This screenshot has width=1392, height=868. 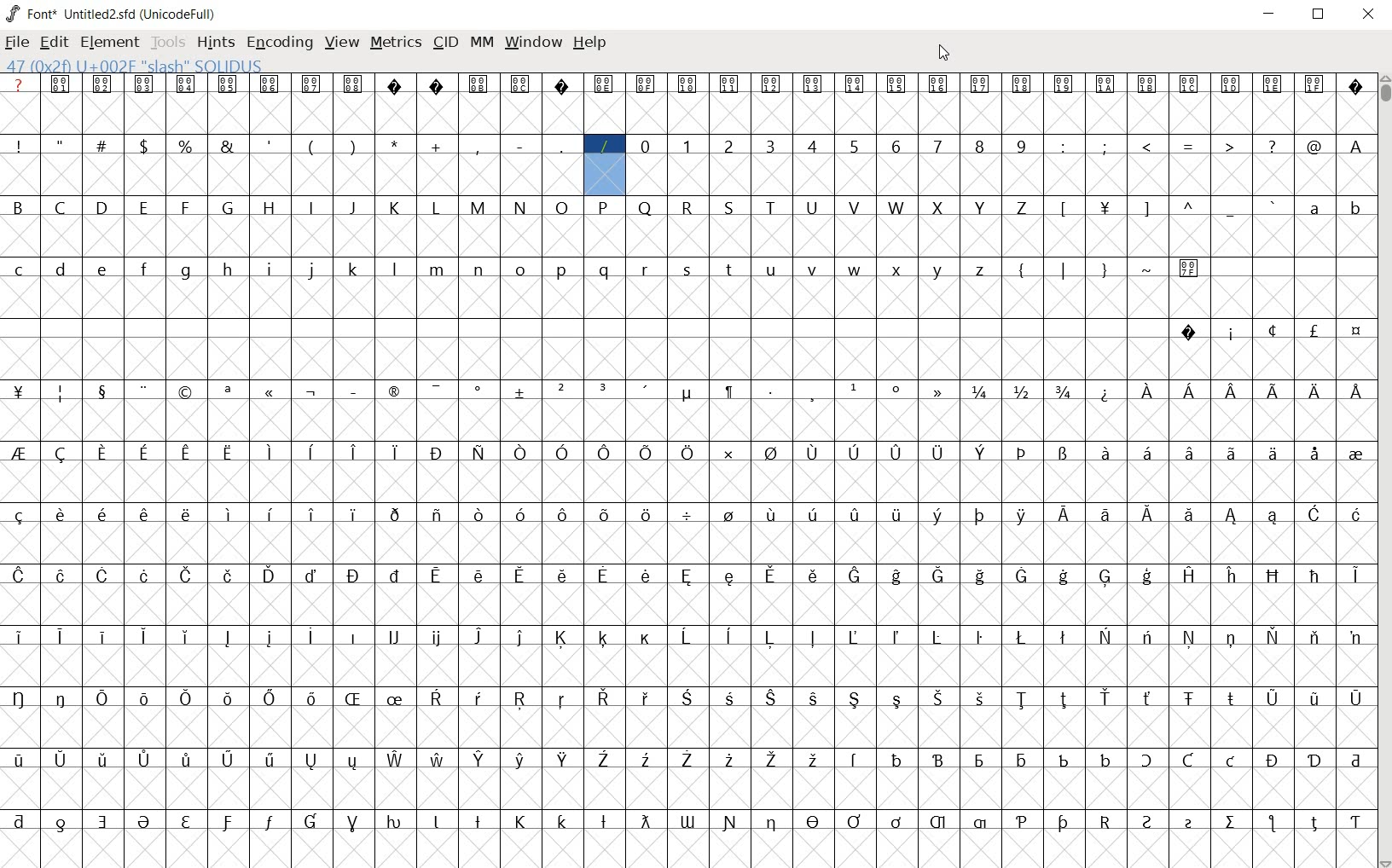 I want to click on glyph, so click(x=271, y=453).